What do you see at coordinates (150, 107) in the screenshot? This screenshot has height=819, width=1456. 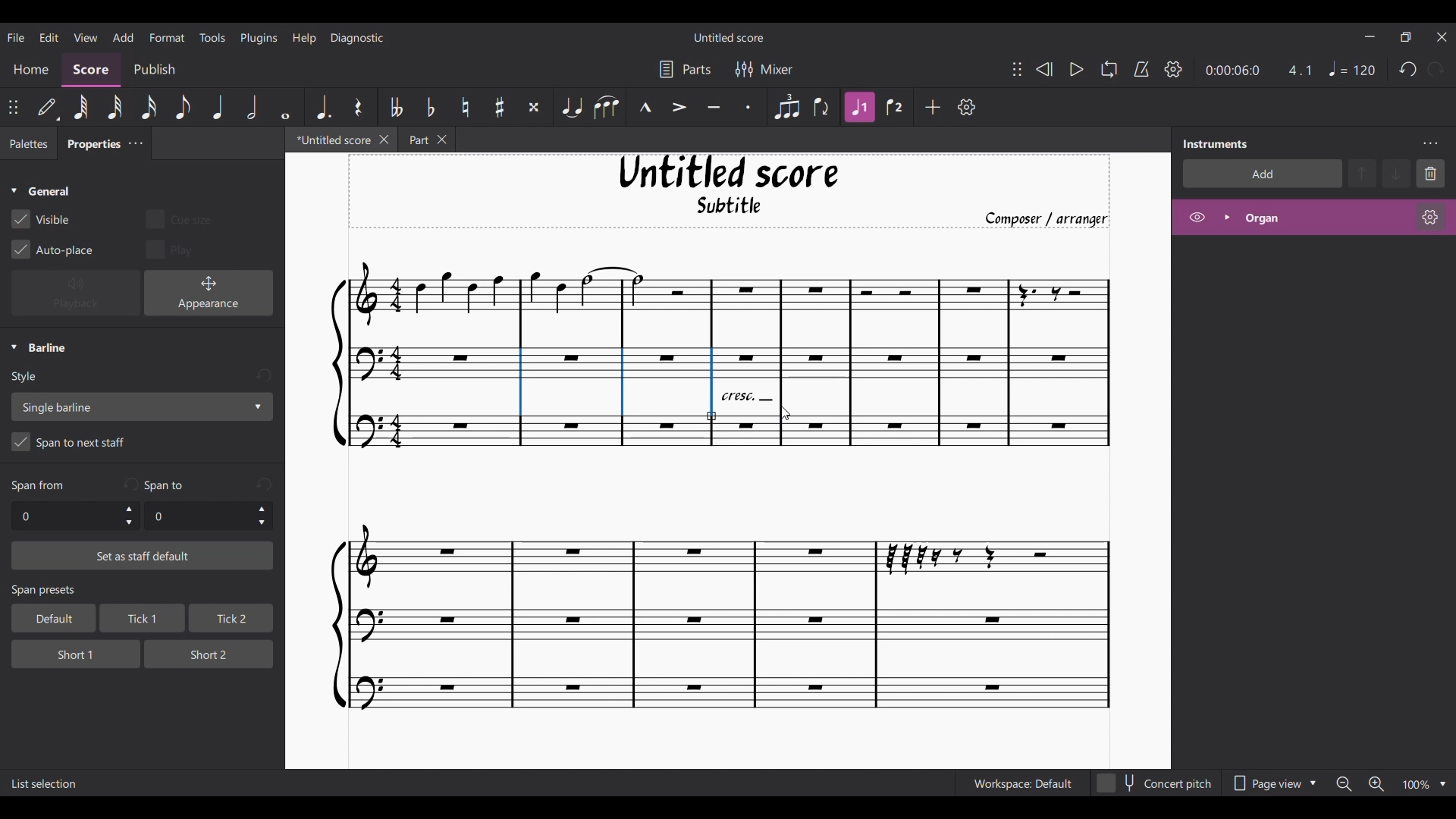 I see `16th note` at bounding box center [150, 107].